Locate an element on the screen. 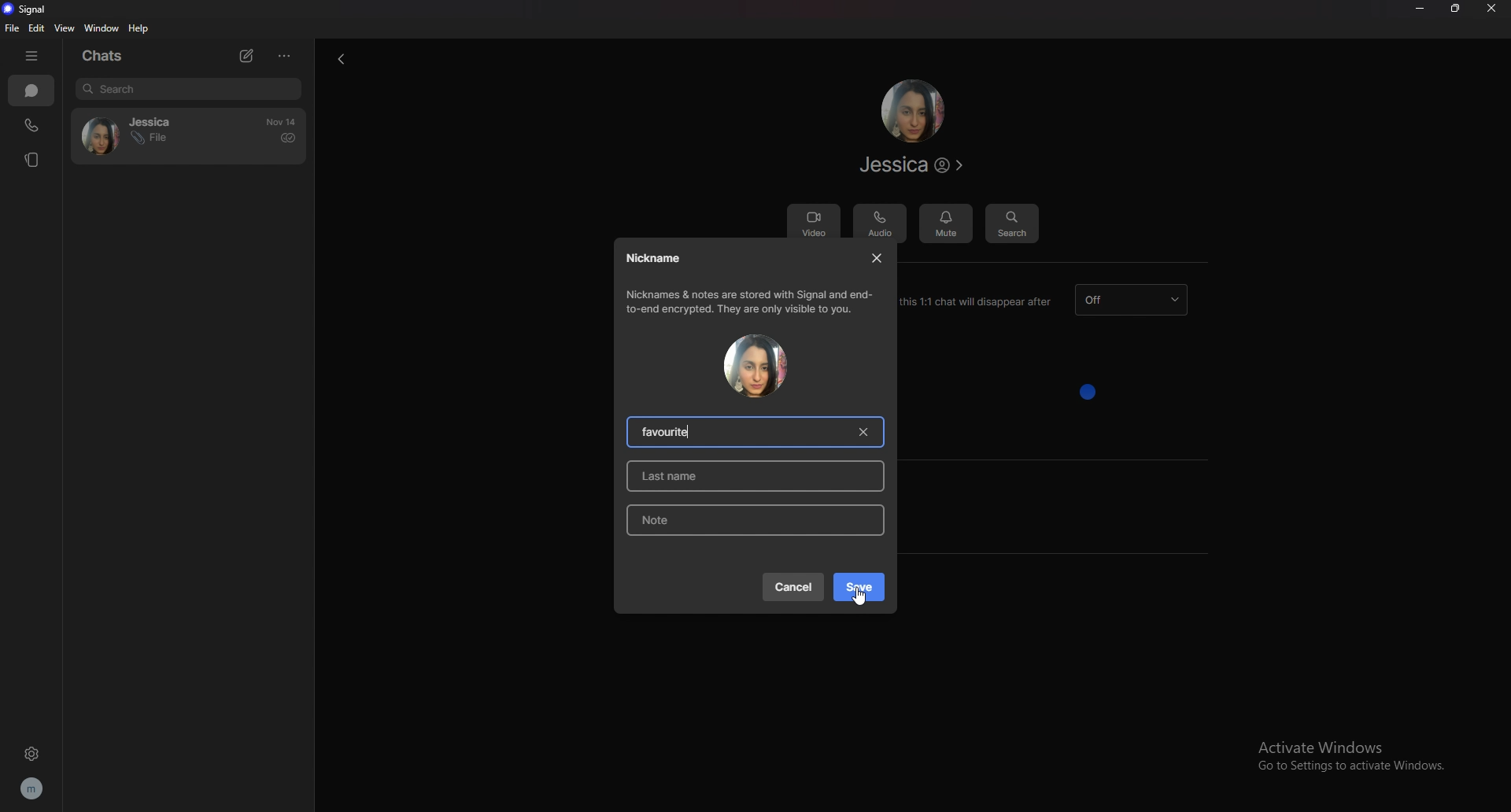 The image size is (1511, 812). last name is located at coordinates (760, 475).